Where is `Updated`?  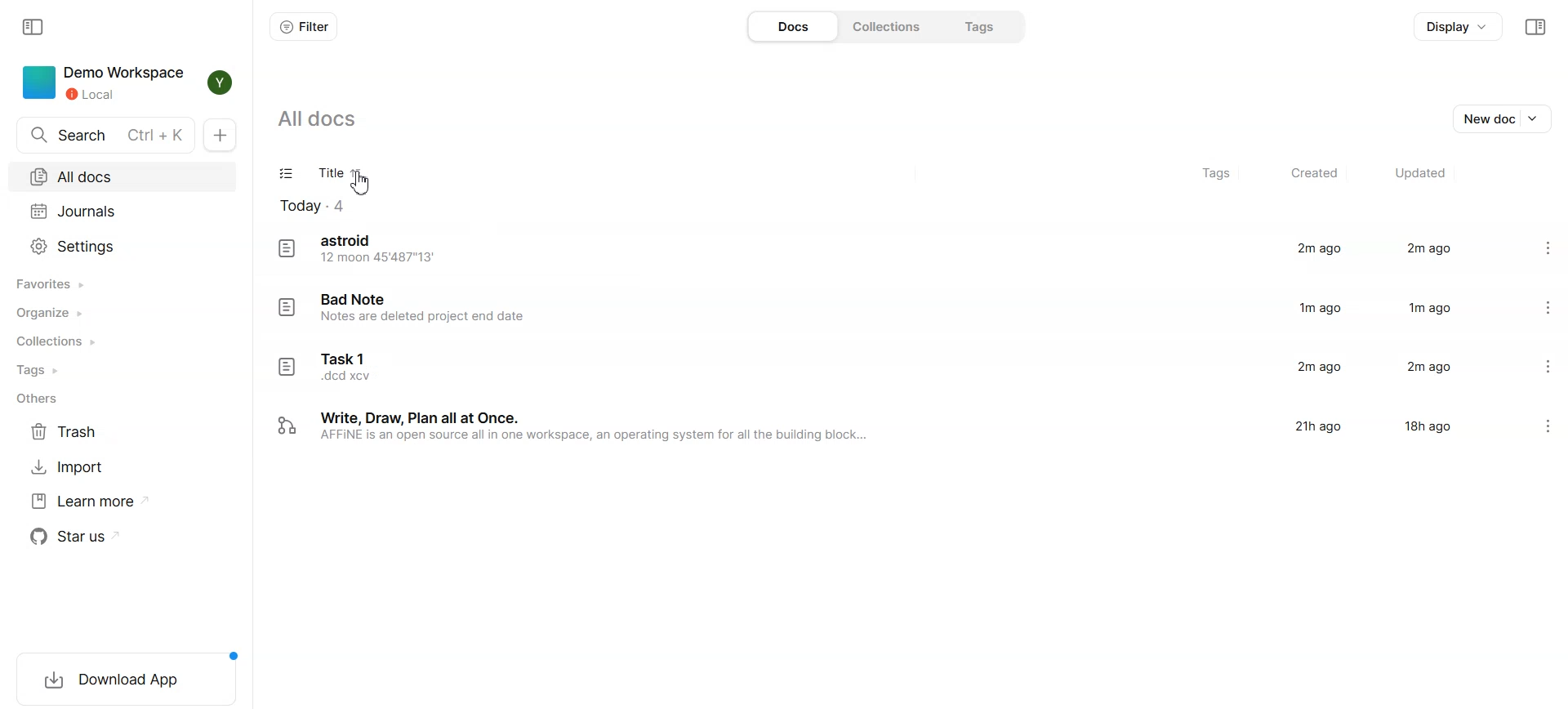
Updated is located at coordinates (1421, 173).